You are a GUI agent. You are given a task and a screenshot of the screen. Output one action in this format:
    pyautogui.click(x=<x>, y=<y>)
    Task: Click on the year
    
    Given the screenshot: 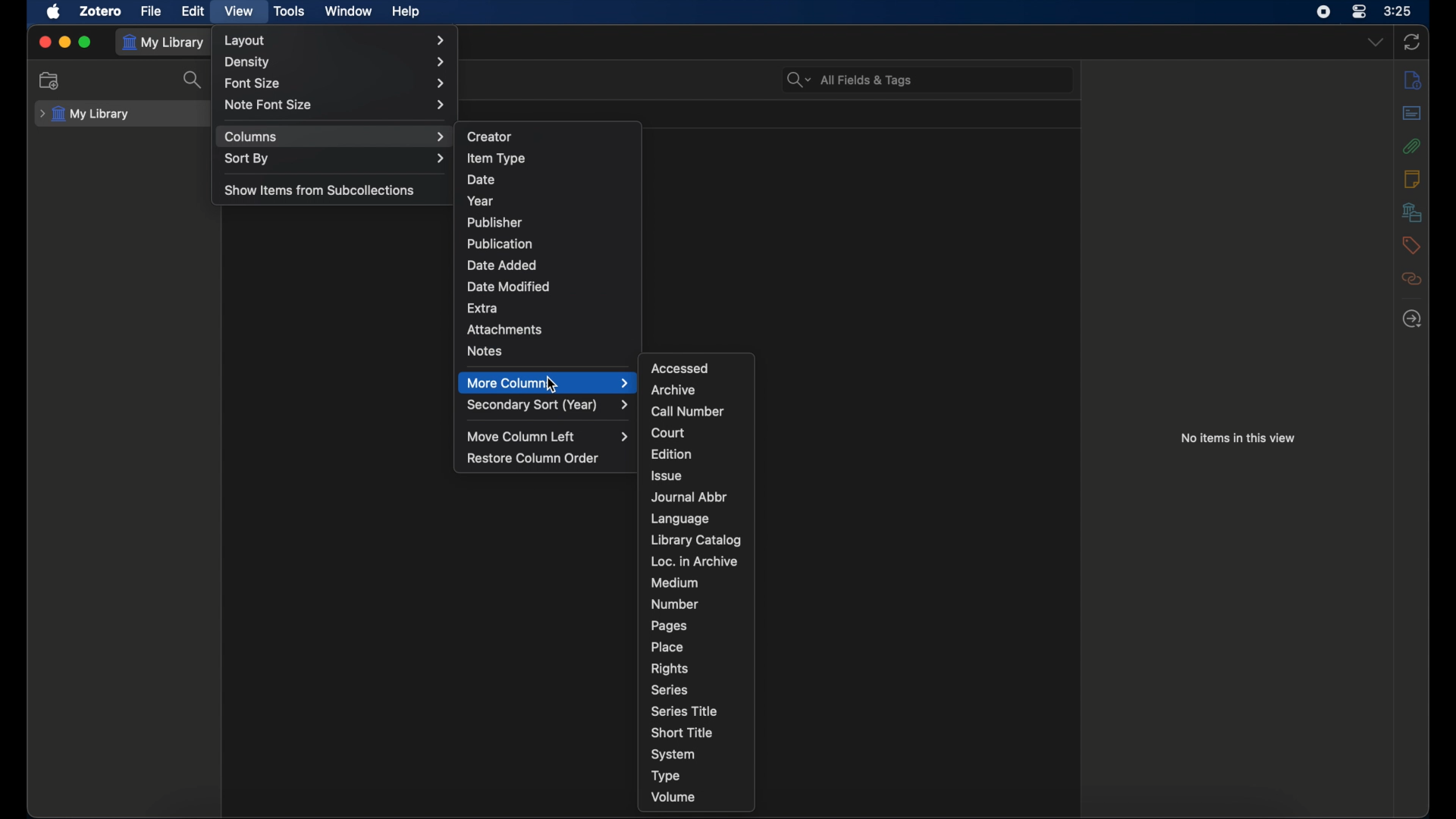 What is the action you would take?
    pyautogui.click(x=481, y=201)
    